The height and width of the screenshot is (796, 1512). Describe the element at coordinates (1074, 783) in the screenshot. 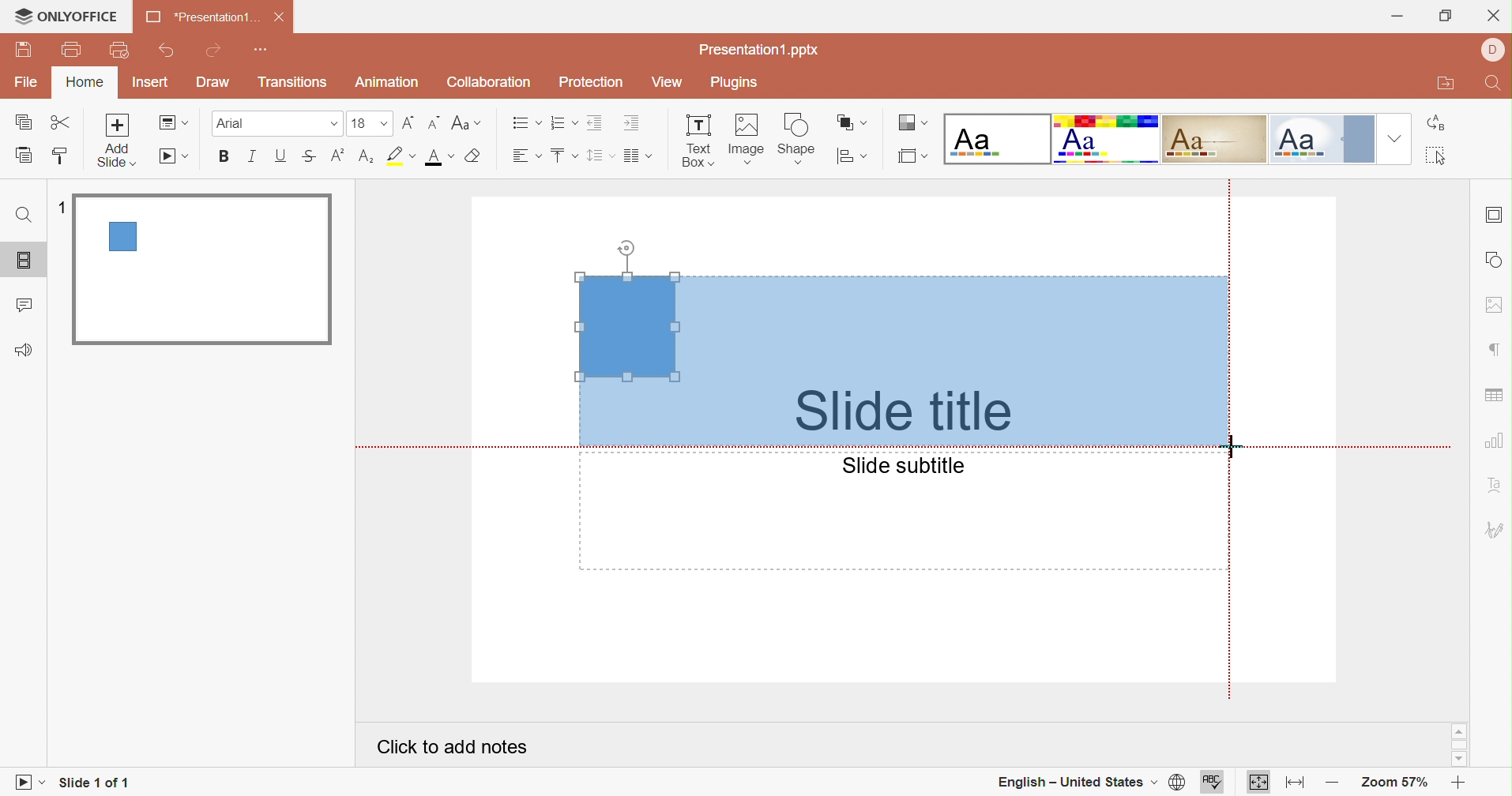

I see `English - United States` at that location.